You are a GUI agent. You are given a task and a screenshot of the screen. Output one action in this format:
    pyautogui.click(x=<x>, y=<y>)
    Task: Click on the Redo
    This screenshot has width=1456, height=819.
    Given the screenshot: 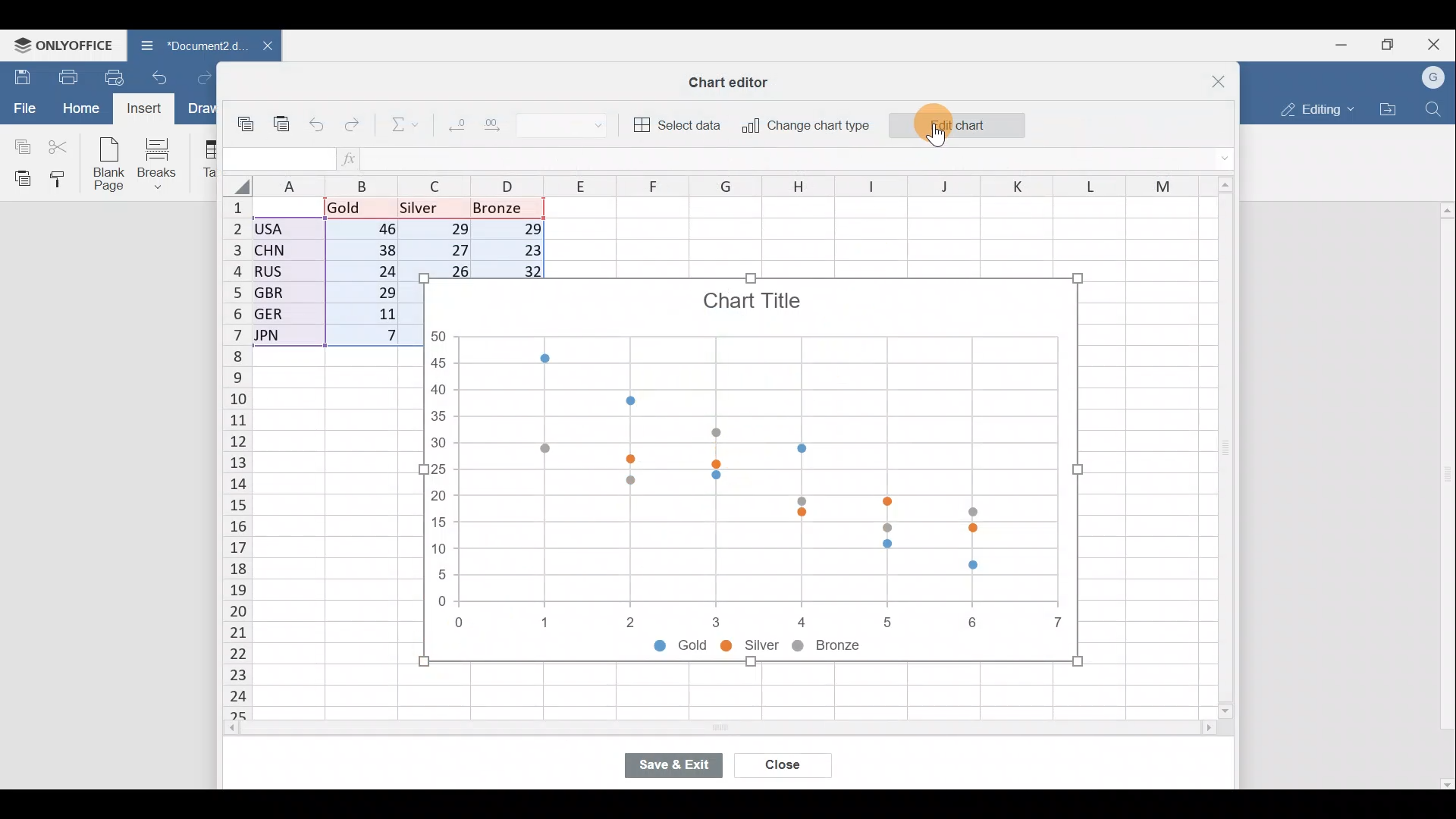 What is the action you would take?
    pyautogui.click(x=201, y=77)
    